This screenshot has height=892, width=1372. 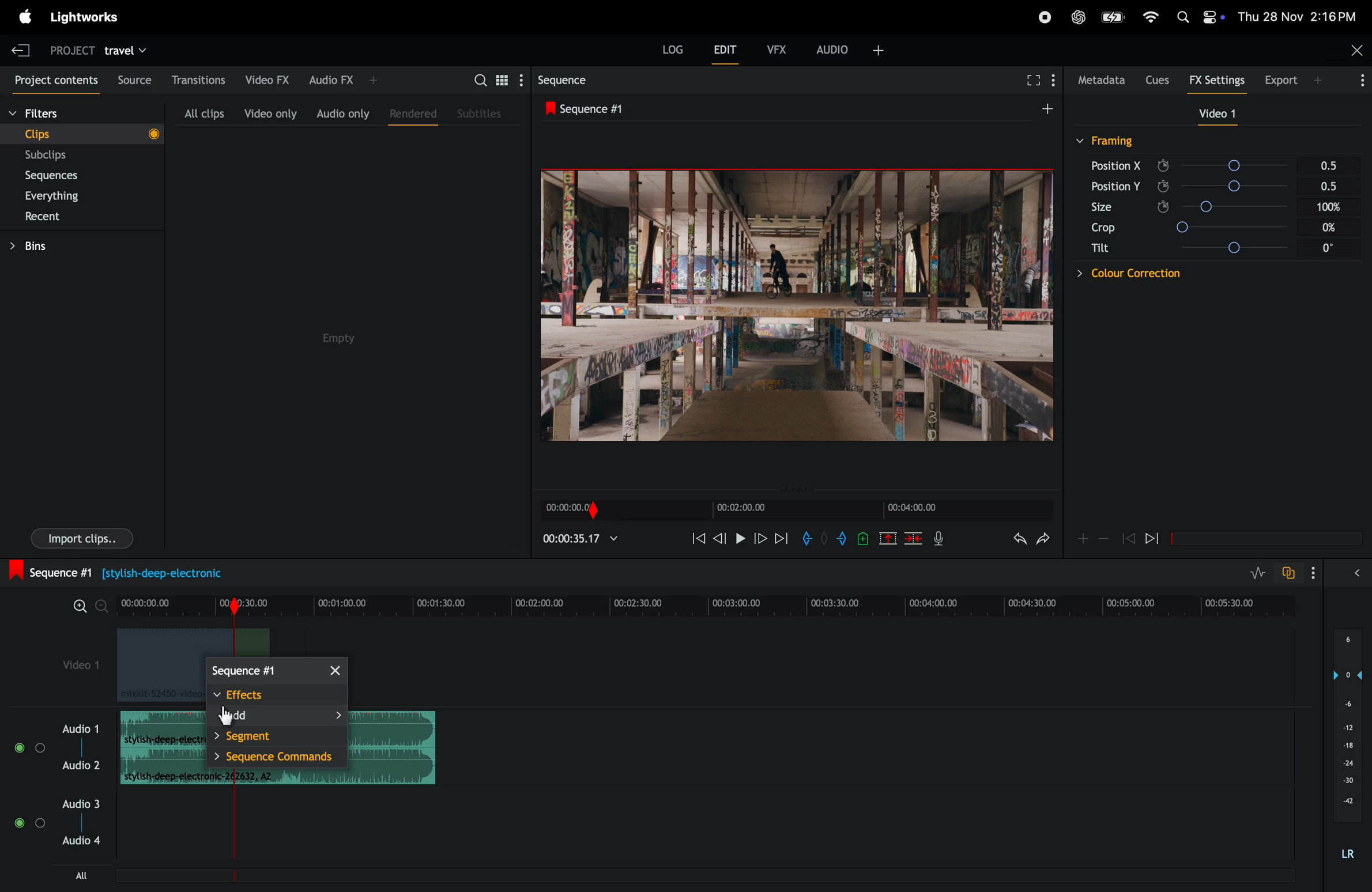 What do you see at coordinates (61, 176) in the screenshot?
I see `sequences` at bounding box center [61, 176].